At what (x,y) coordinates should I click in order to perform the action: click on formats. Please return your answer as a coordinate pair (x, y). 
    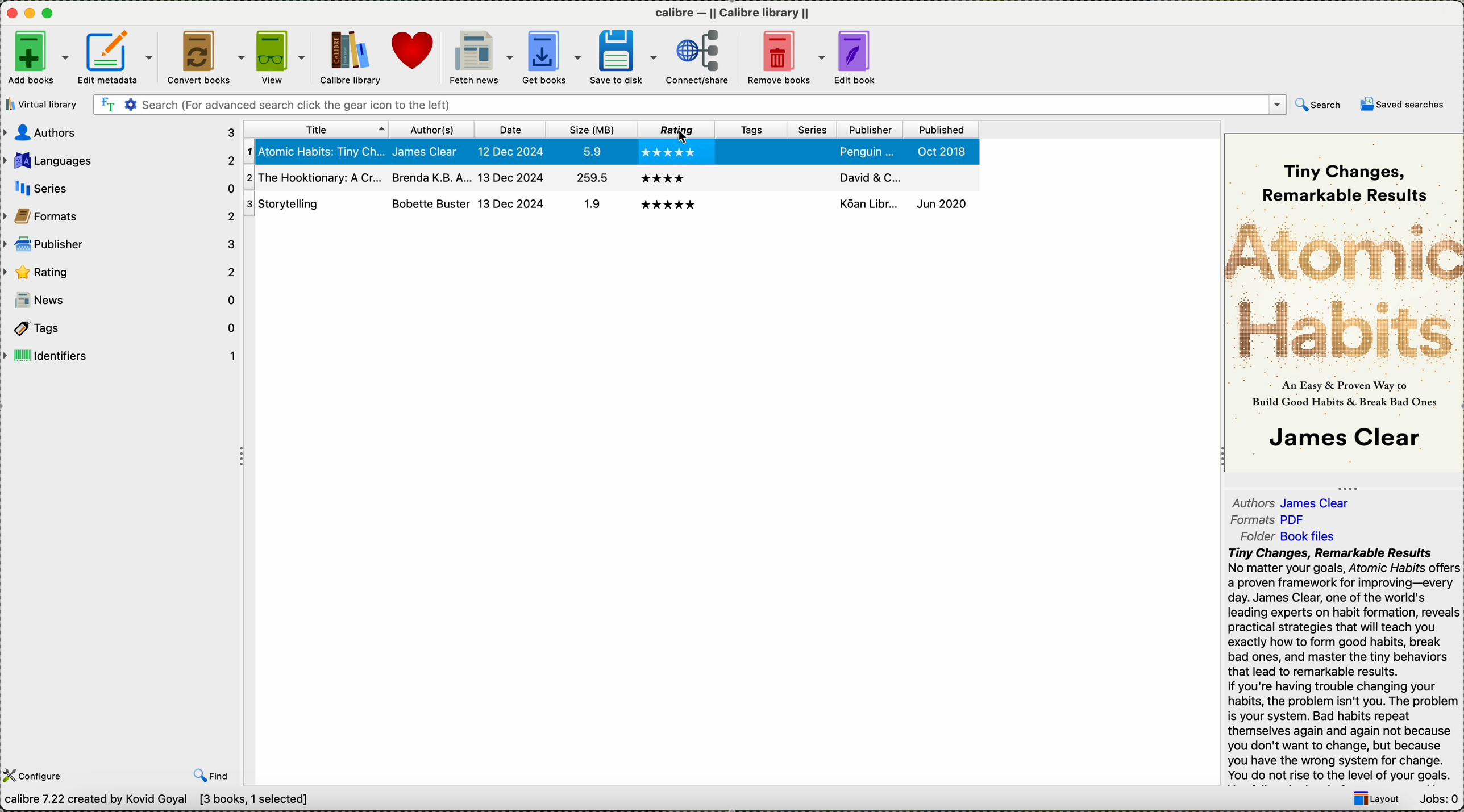
    Looking at the image, I should click on (120, 215).